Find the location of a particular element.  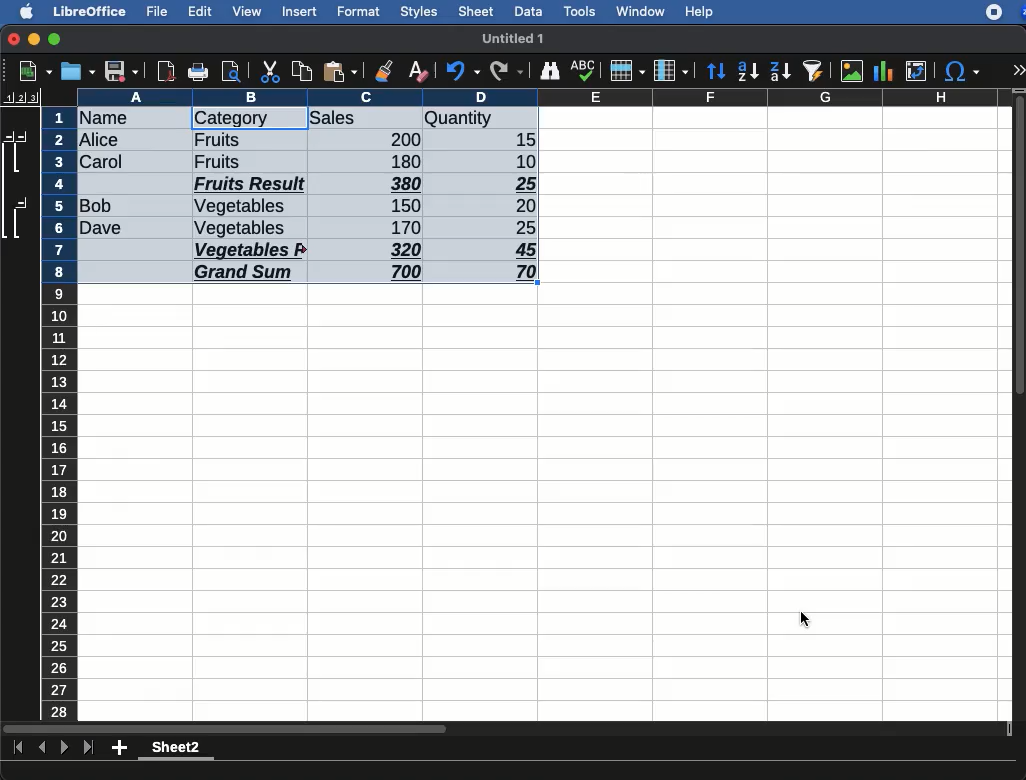

image is located at coordinates (854, 71).